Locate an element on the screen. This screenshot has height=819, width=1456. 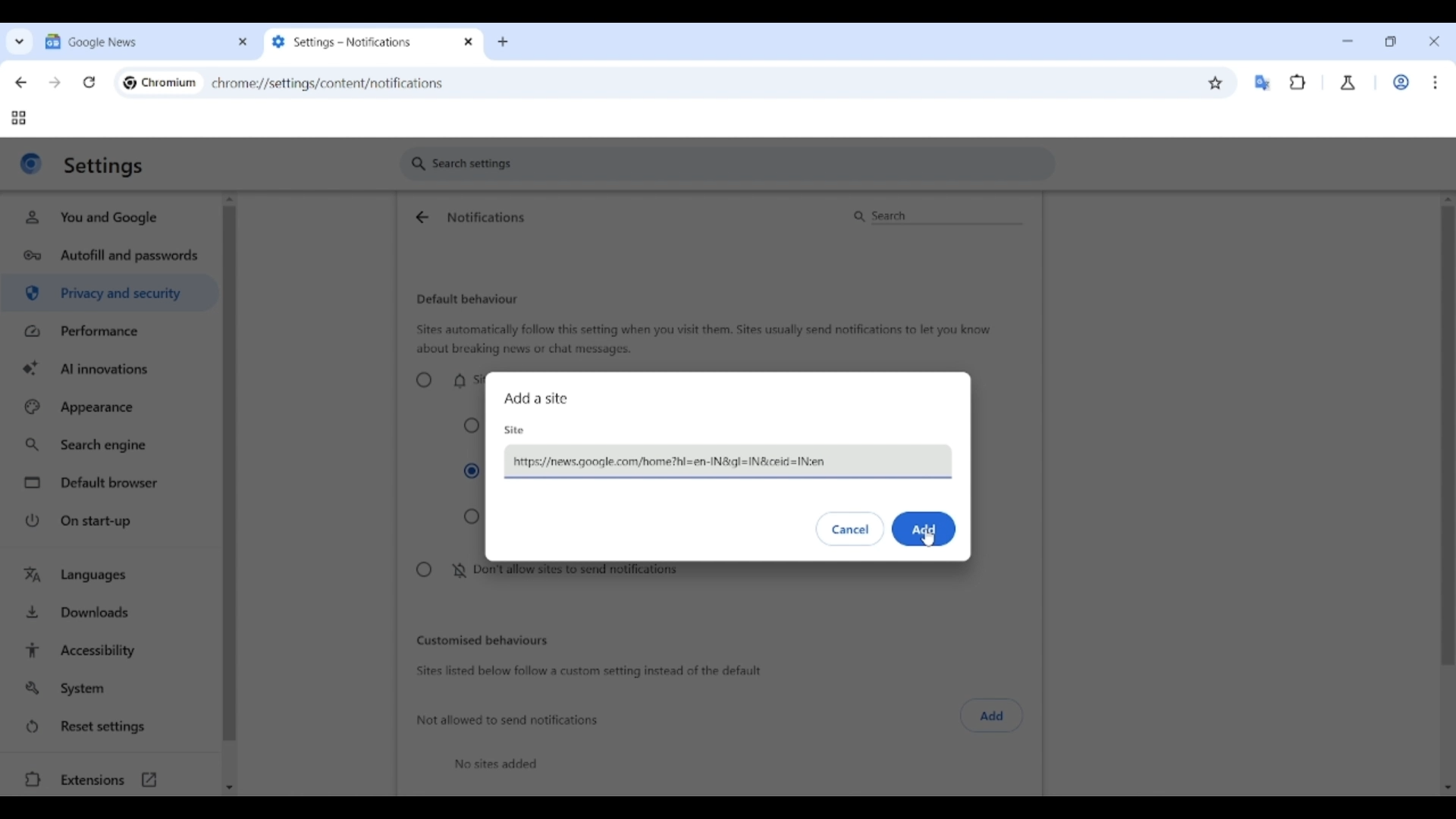
Go back to site settings is located at coordinates (421, 217).